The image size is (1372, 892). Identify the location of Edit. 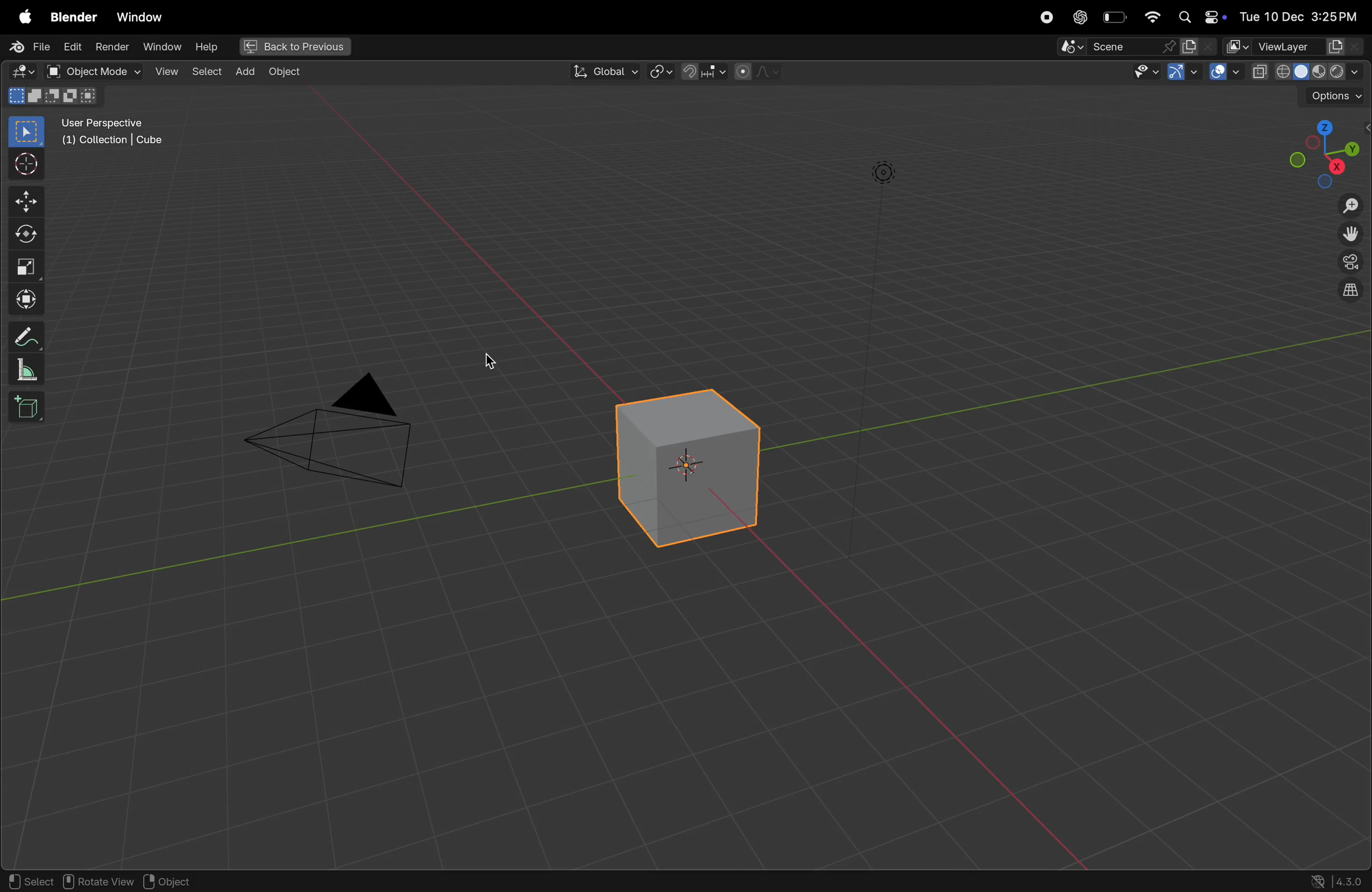
(73, 46).